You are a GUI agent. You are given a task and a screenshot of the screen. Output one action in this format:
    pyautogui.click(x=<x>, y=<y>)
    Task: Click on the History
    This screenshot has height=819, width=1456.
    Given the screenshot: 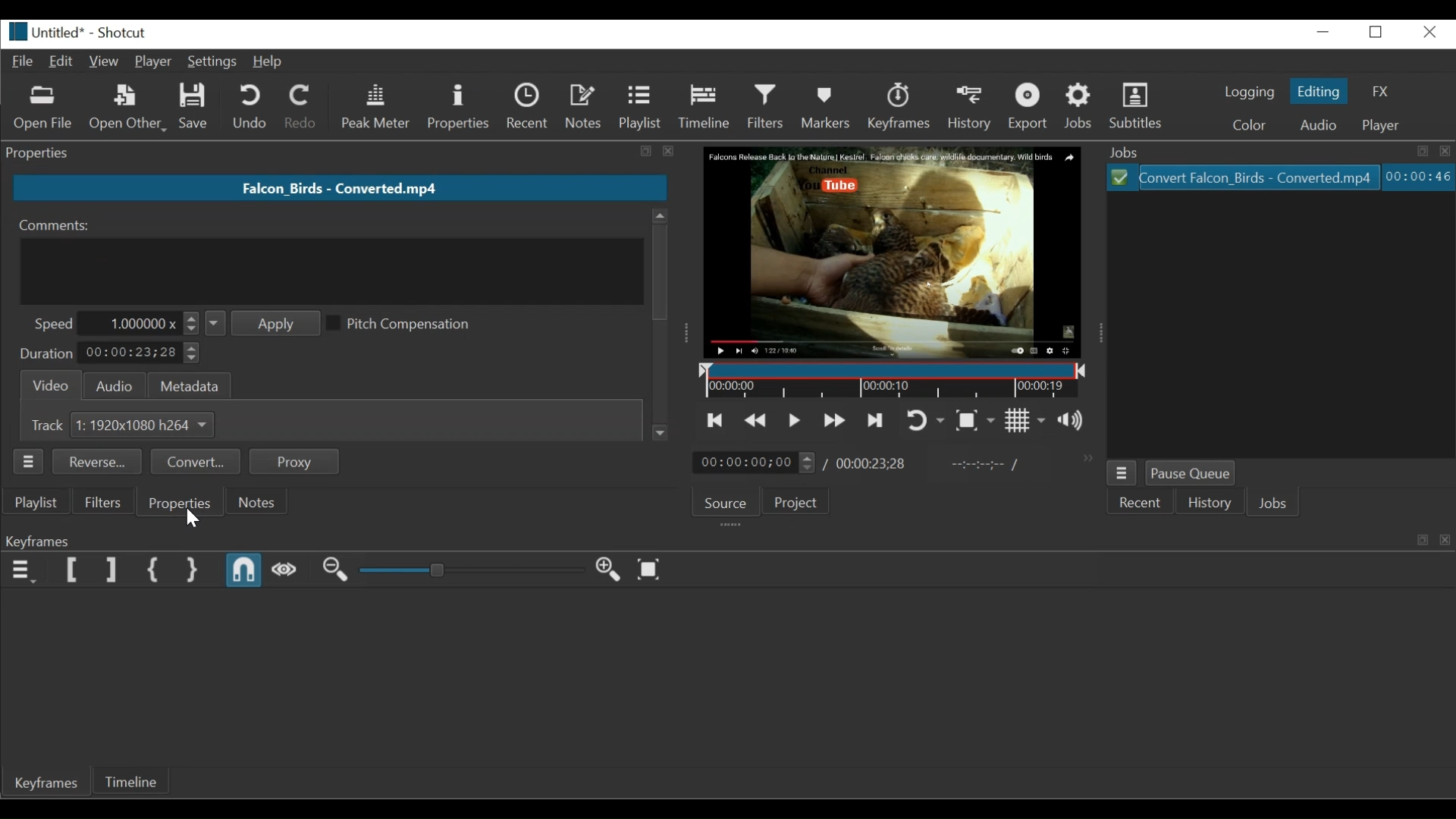 What is the action you would take?
    pyautogui.click(x=972, y=109)
    